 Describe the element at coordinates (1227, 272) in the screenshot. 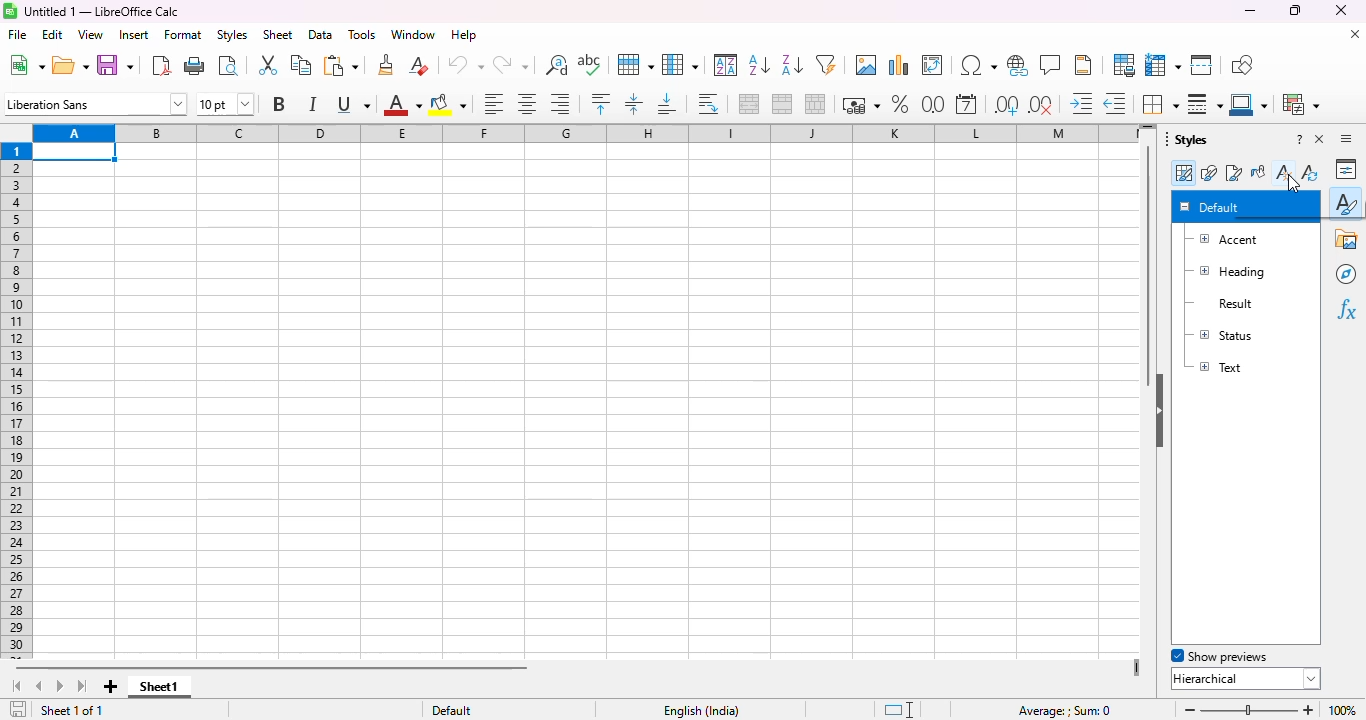

I see `heading` at that location.